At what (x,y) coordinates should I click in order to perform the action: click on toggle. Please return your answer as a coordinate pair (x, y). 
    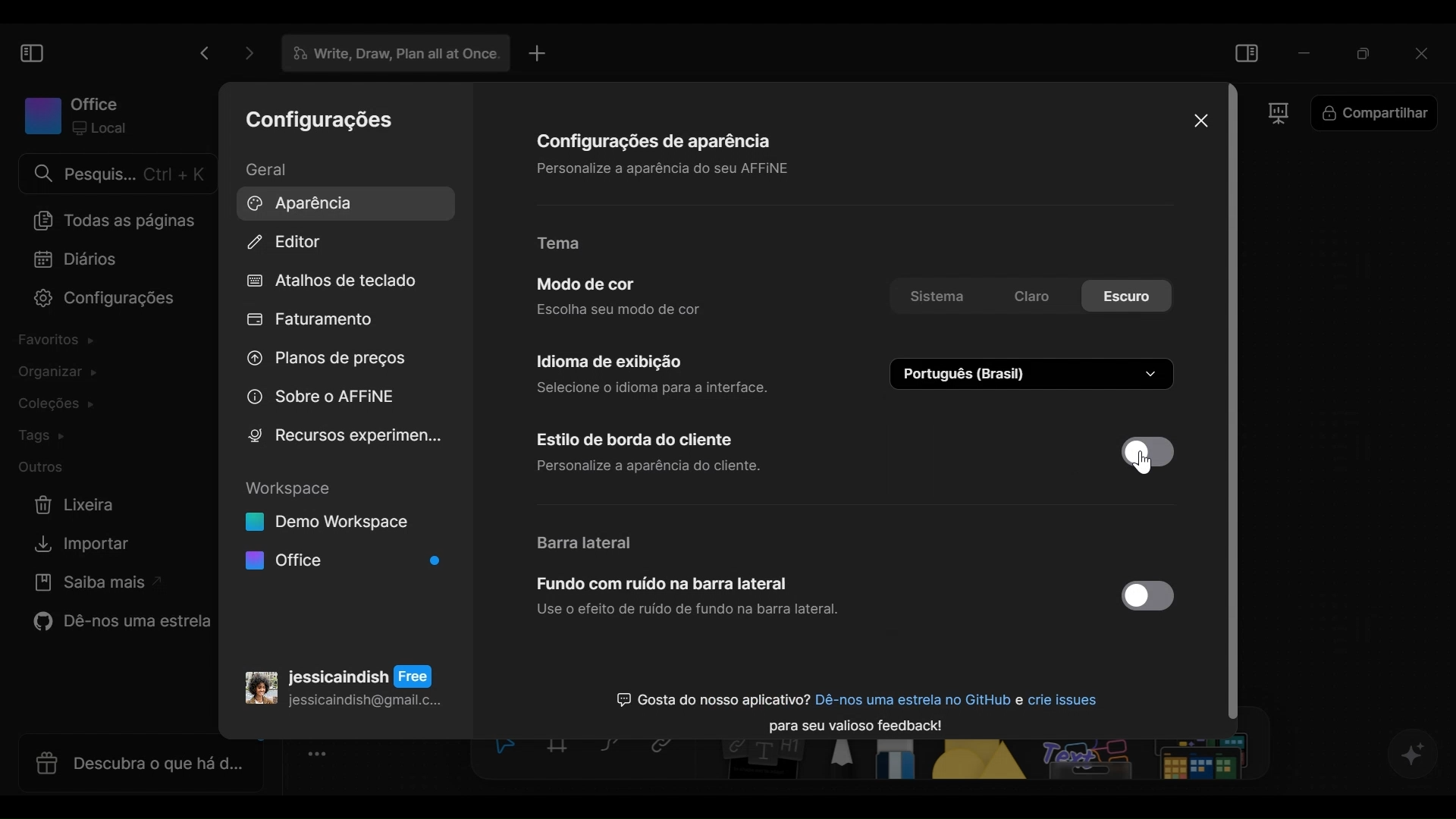
    Looking at the image, I should click on (1144, 597).